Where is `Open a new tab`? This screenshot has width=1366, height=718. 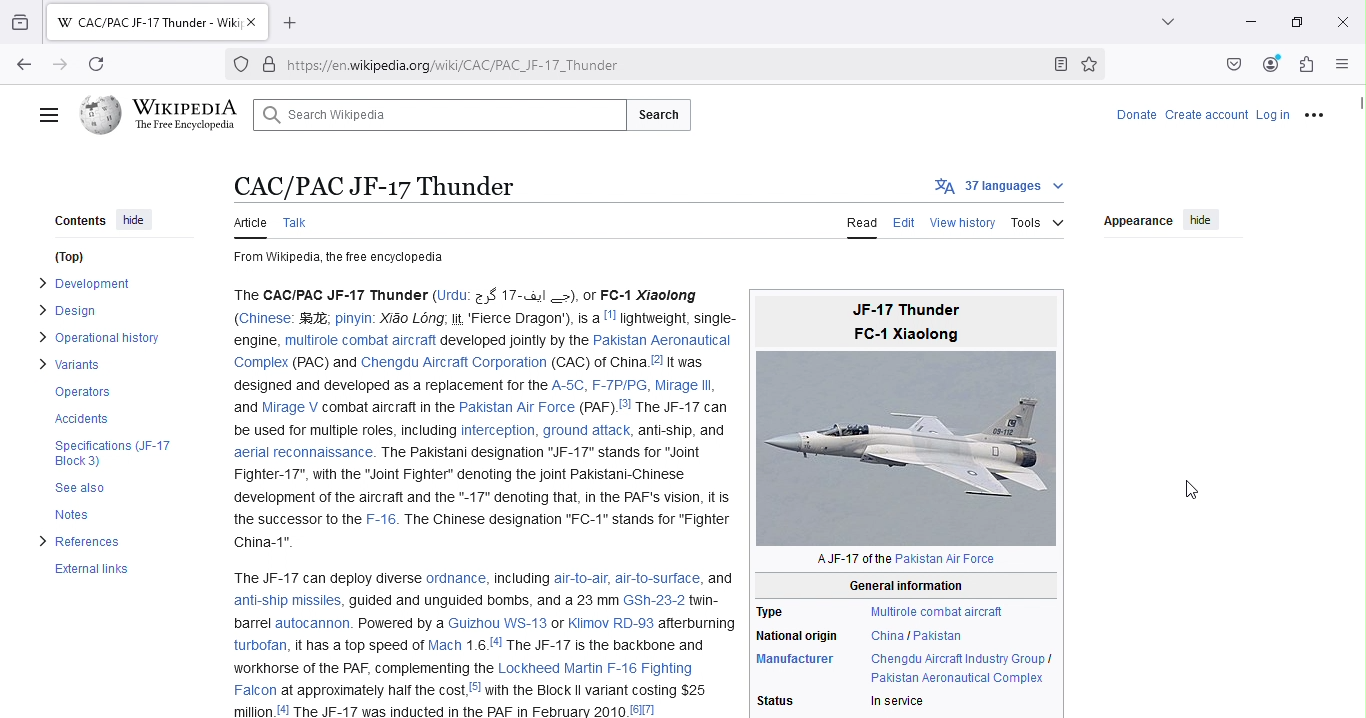 Open a new tab is located at coordinates (295, 23).